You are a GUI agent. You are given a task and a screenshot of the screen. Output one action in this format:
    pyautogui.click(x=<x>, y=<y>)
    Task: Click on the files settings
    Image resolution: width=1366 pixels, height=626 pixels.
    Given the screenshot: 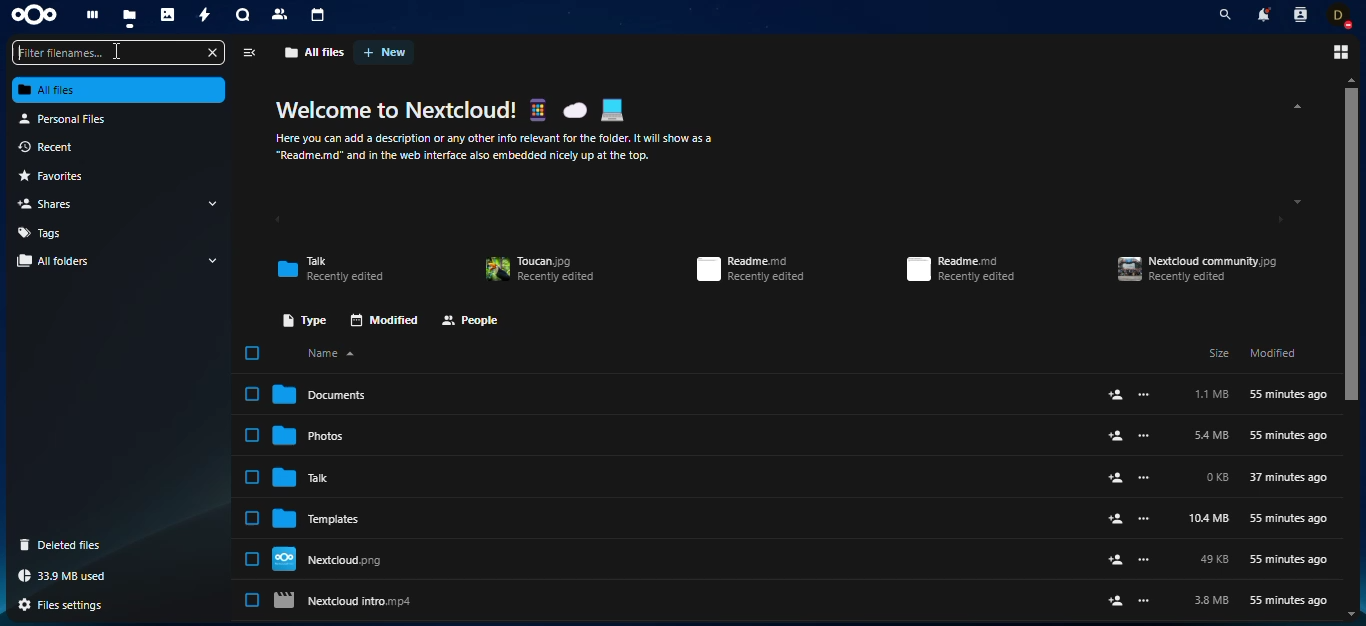 What is the action you would take?
    pyautogui.click(x=67, y=605)
    